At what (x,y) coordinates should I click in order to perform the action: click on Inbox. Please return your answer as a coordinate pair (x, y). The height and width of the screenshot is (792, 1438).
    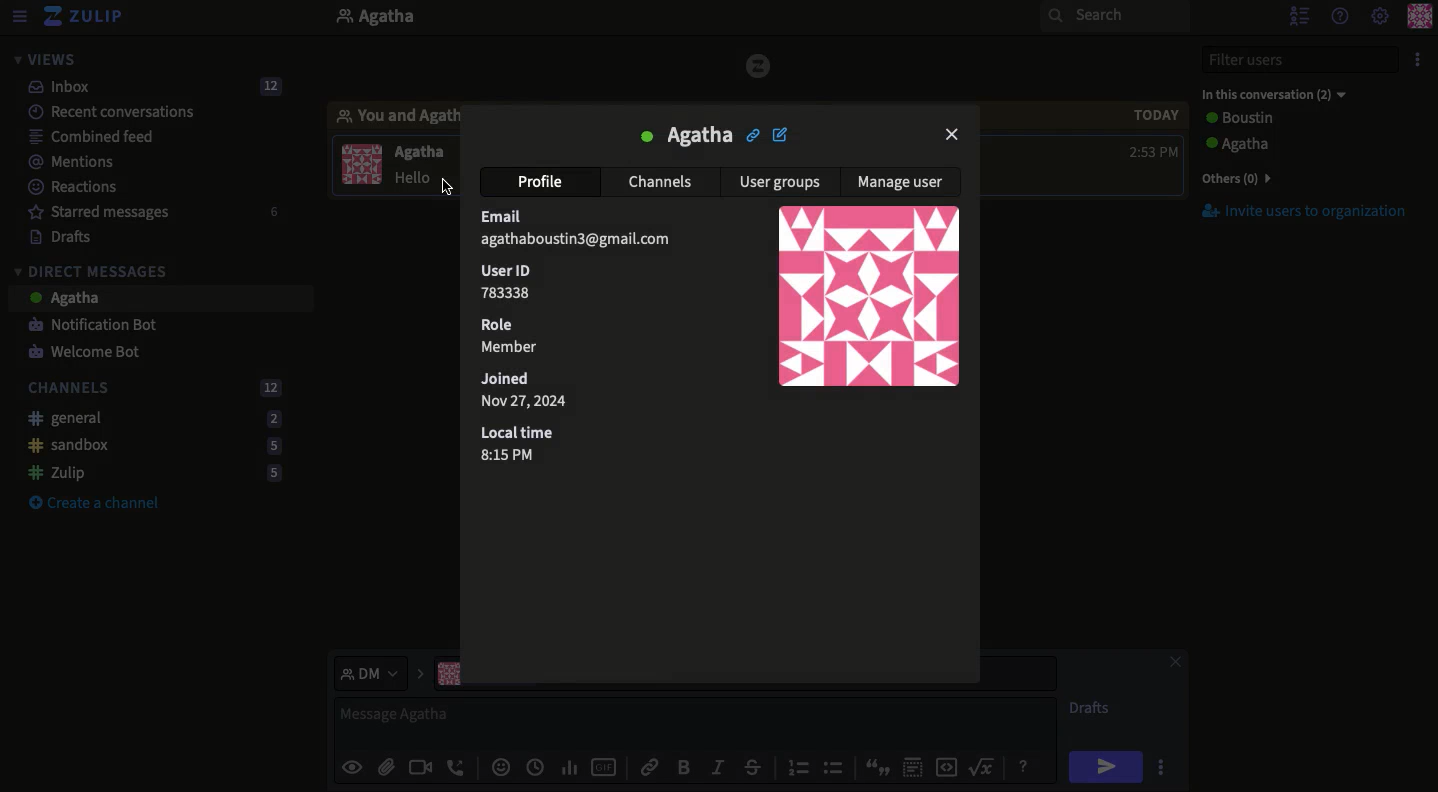
    Looking at the image, I should click on (567, 18).